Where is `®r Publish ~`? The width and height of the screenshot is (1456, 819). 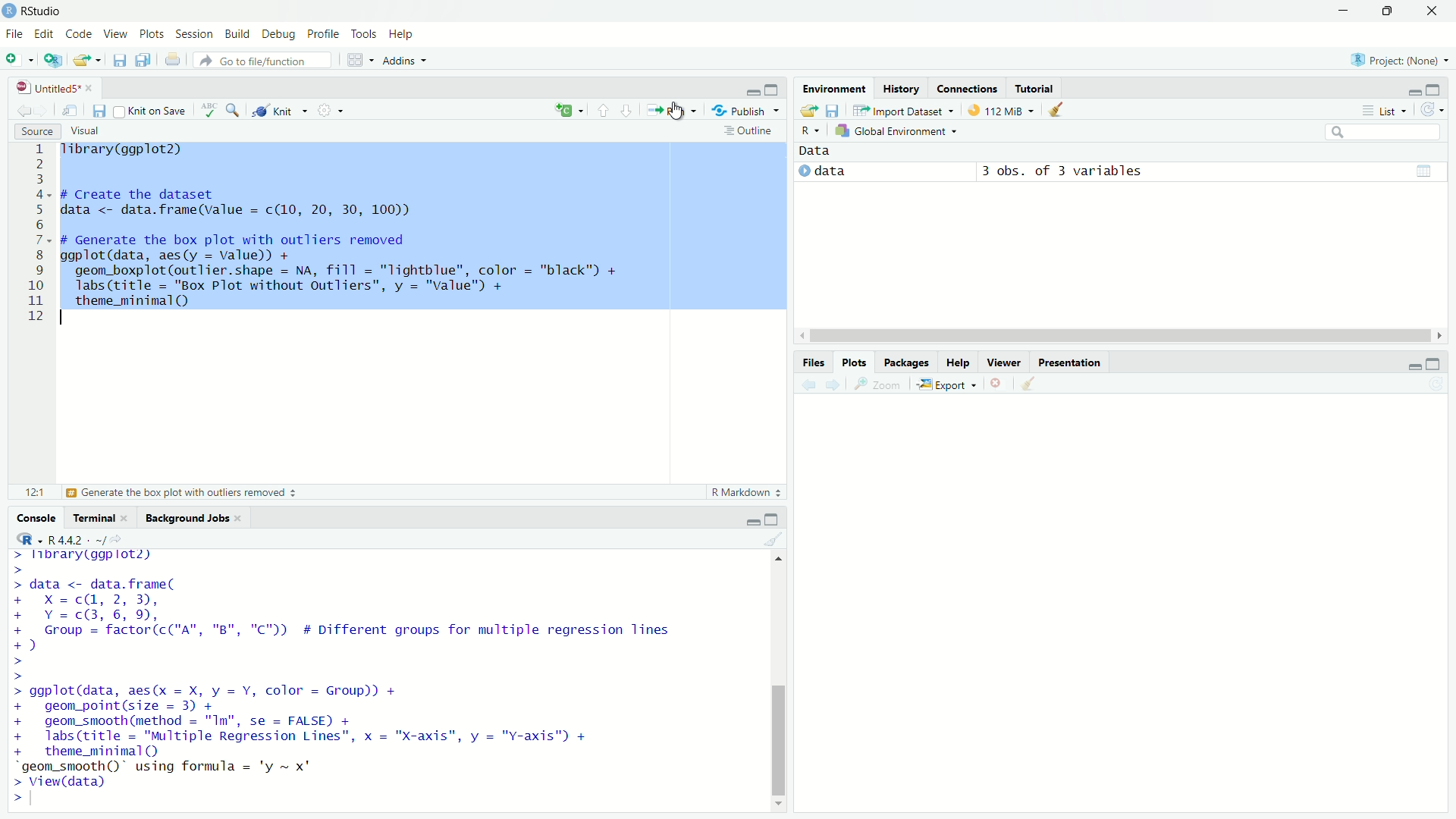 ®r Publish ~ is located at coordinates (748, 111).